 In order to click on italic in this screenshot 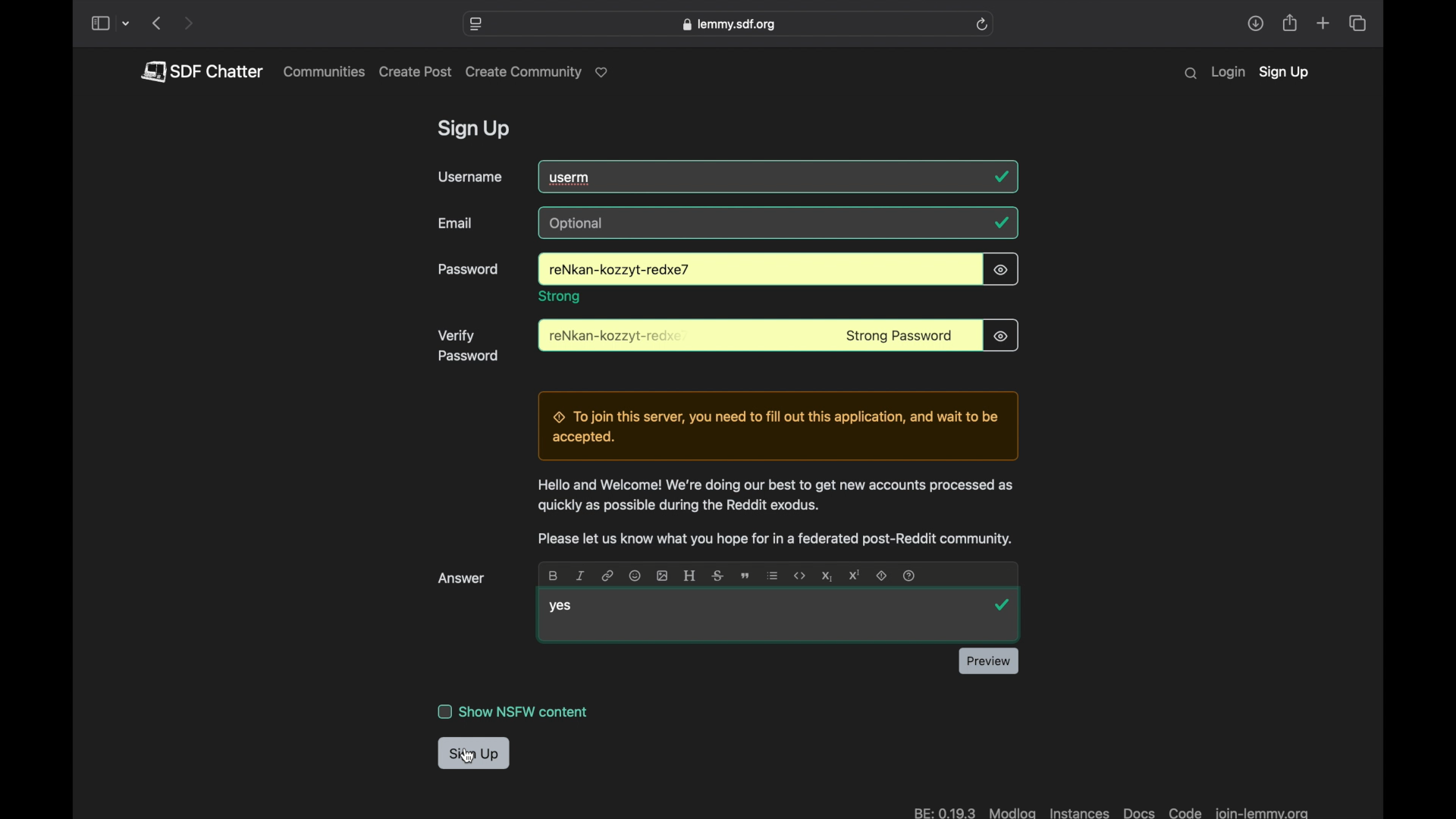, I will do `click(581, 576)`.